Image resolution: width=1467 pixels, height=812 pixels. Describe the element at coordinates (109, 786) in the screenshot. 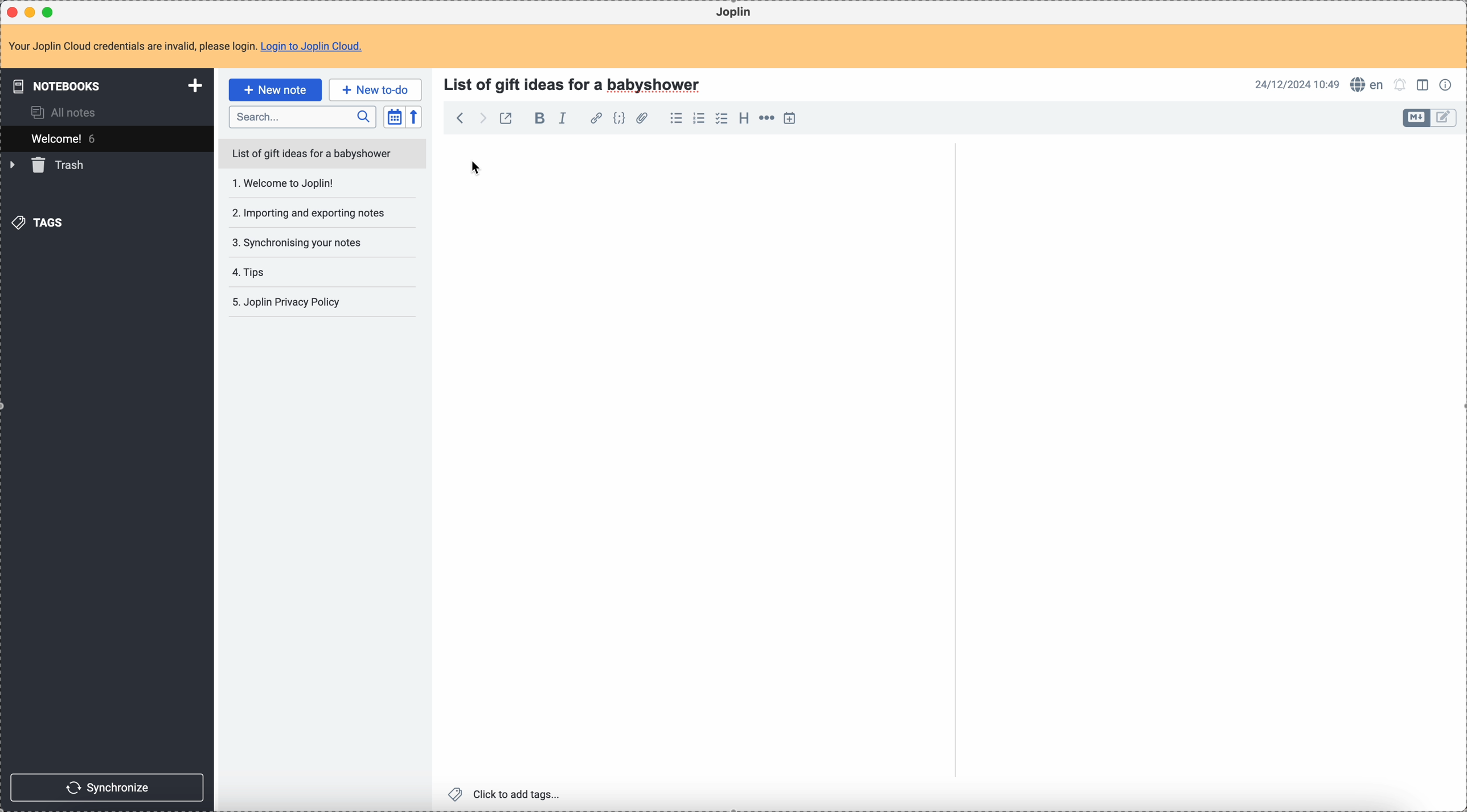

I see `synchronize` at that location.